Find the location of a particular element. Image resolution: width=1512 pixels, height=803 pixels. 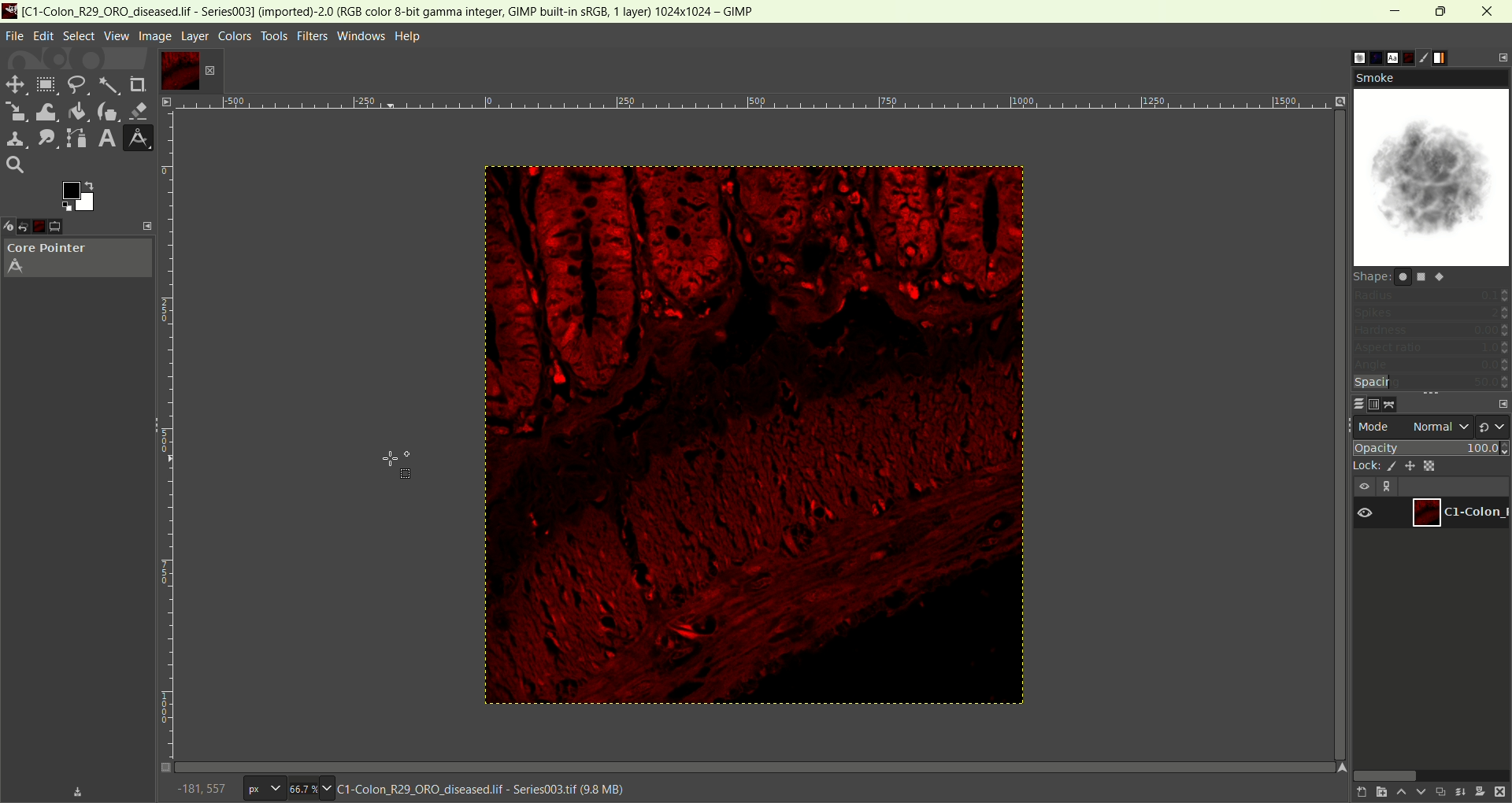

layer1 is located at coordinates (176, 70).